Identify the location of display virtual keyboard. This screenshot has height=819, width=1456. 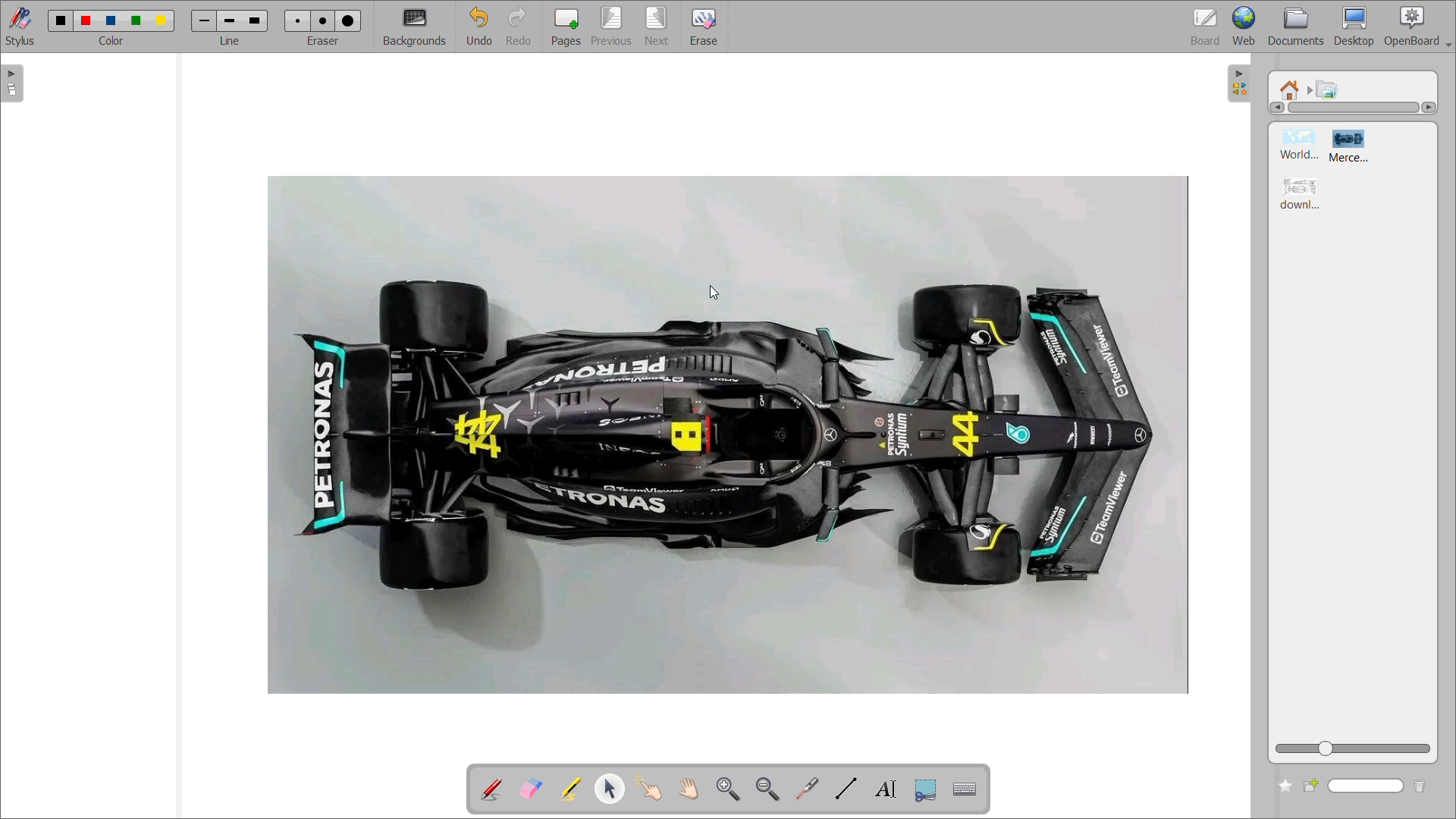
(967, 788).